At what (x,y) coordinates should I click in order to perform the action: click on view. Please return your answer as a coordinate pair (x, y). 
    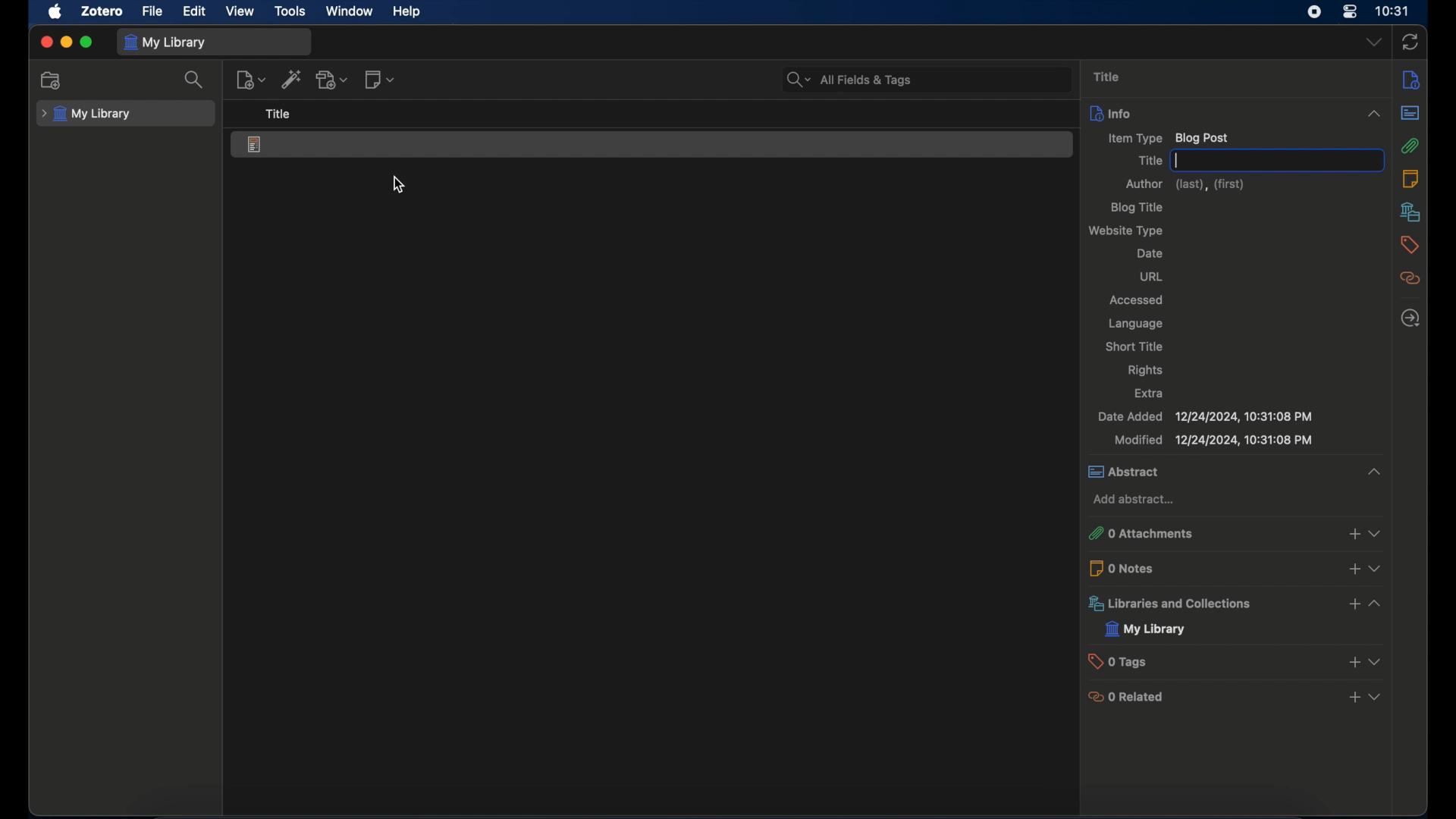
    Looking at the image, I should click on (240, 12).